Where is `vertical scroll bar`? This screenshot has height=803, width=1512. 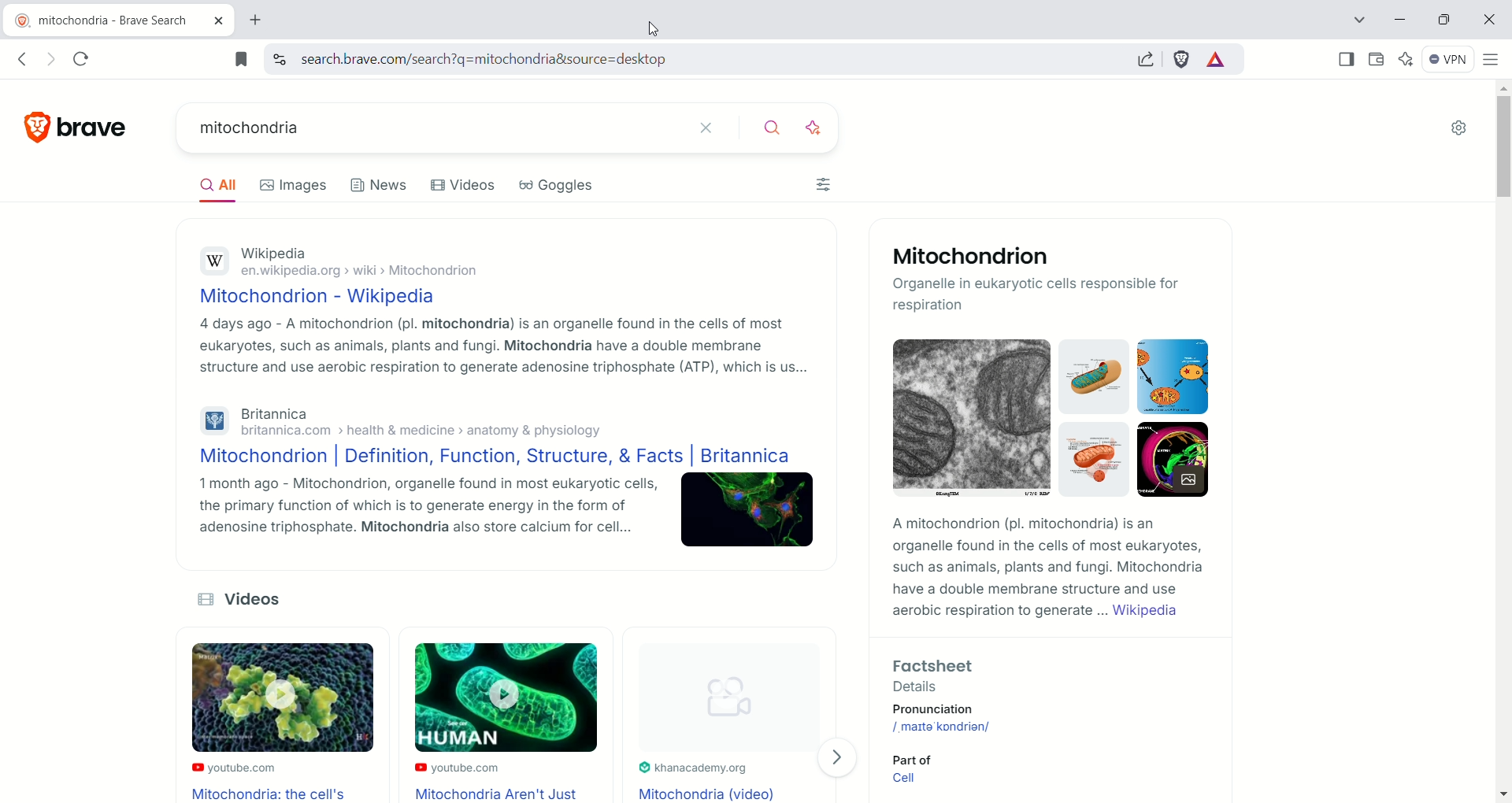
vertical scroll bar is located at coordinates (1503, 439).